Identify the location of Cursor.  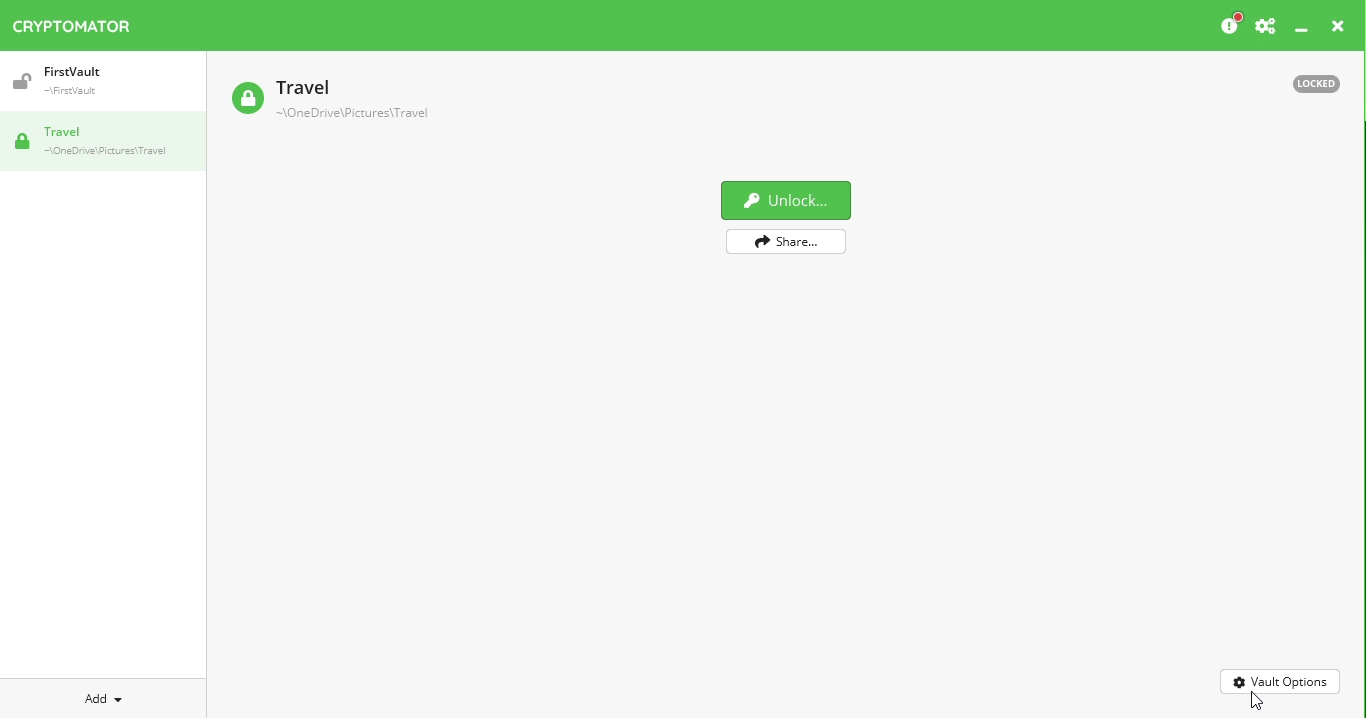
(1256, 703).